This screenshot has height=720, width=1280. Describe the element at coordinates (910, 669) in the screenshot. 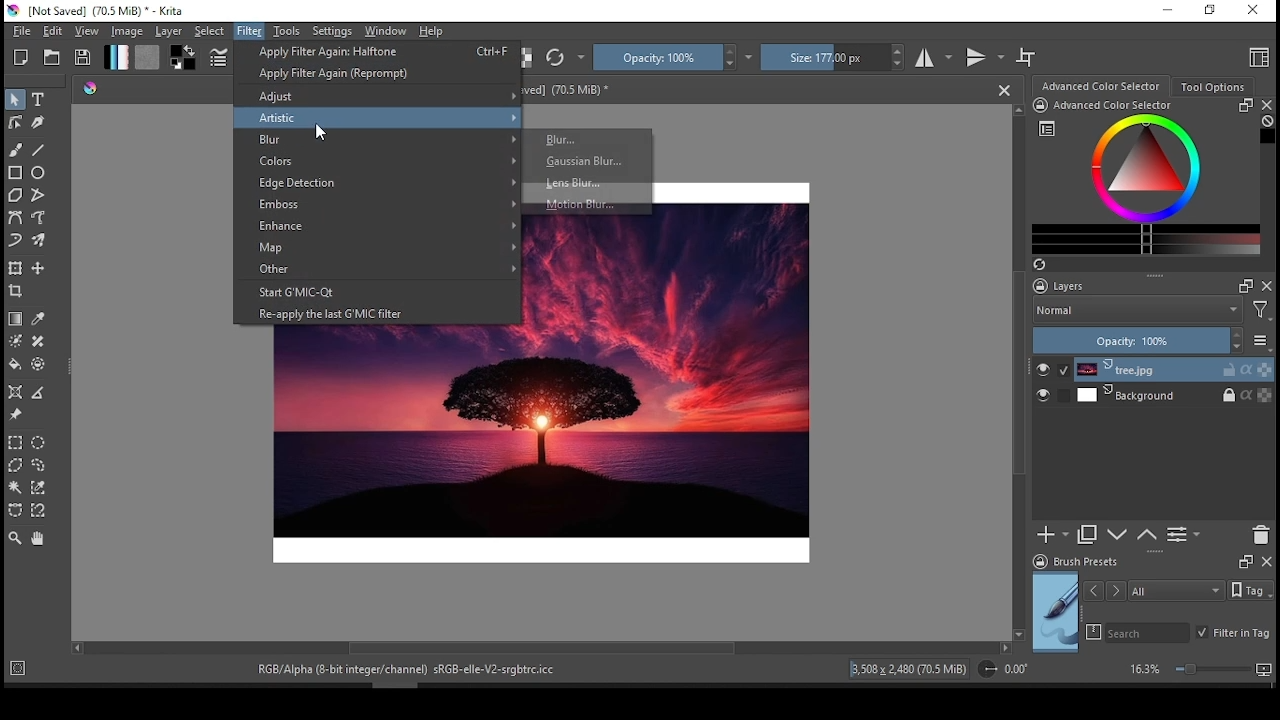

I see `image details` at that location.